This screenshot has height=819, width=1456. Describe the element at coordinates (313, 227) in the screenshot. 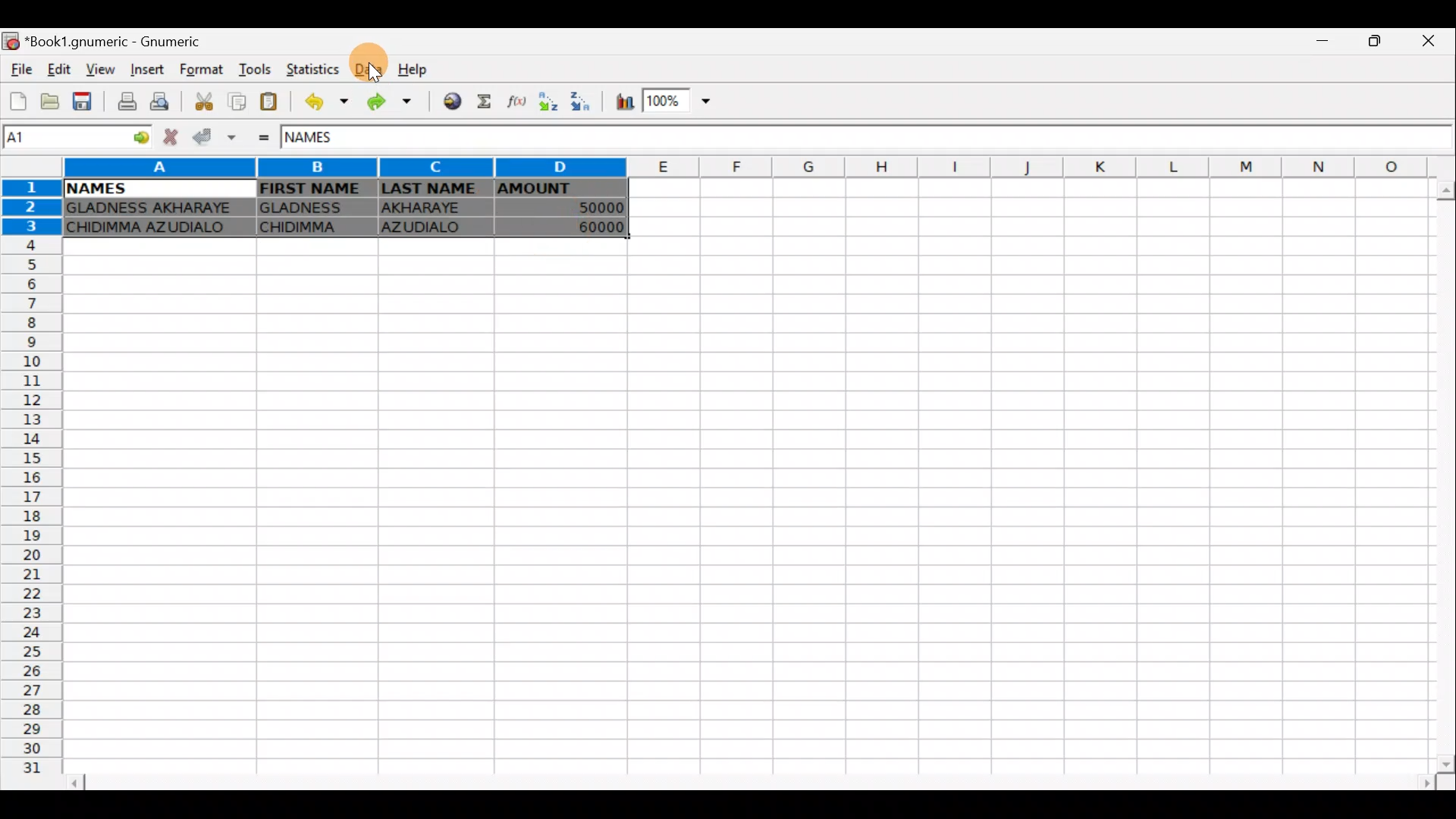

I see `CHIDIMMA` at that location.